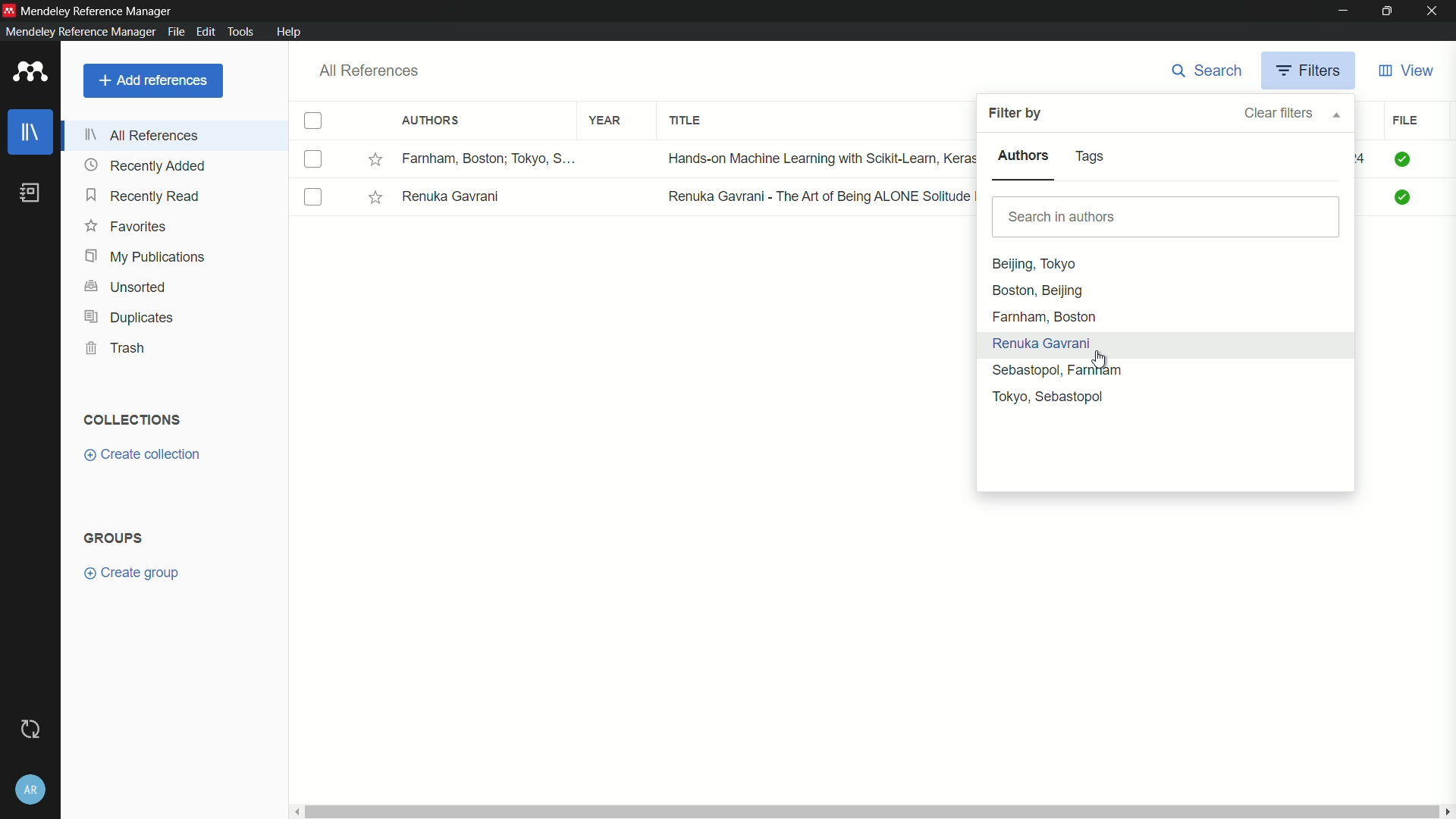  Describe the element at coordinates (1385, 10) in the screenshot. I see `maximize` at that location.